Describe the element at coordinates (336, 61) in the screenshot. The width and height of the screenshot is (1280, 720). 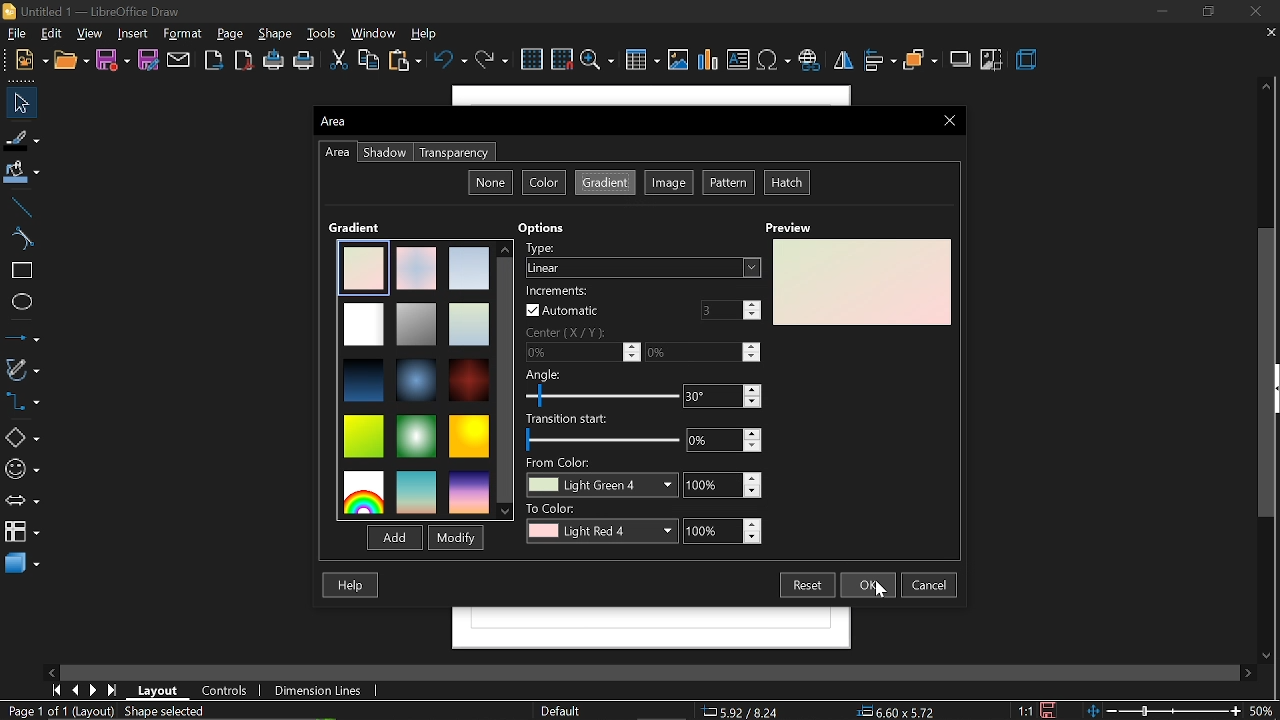
I see `cut ` at that location.